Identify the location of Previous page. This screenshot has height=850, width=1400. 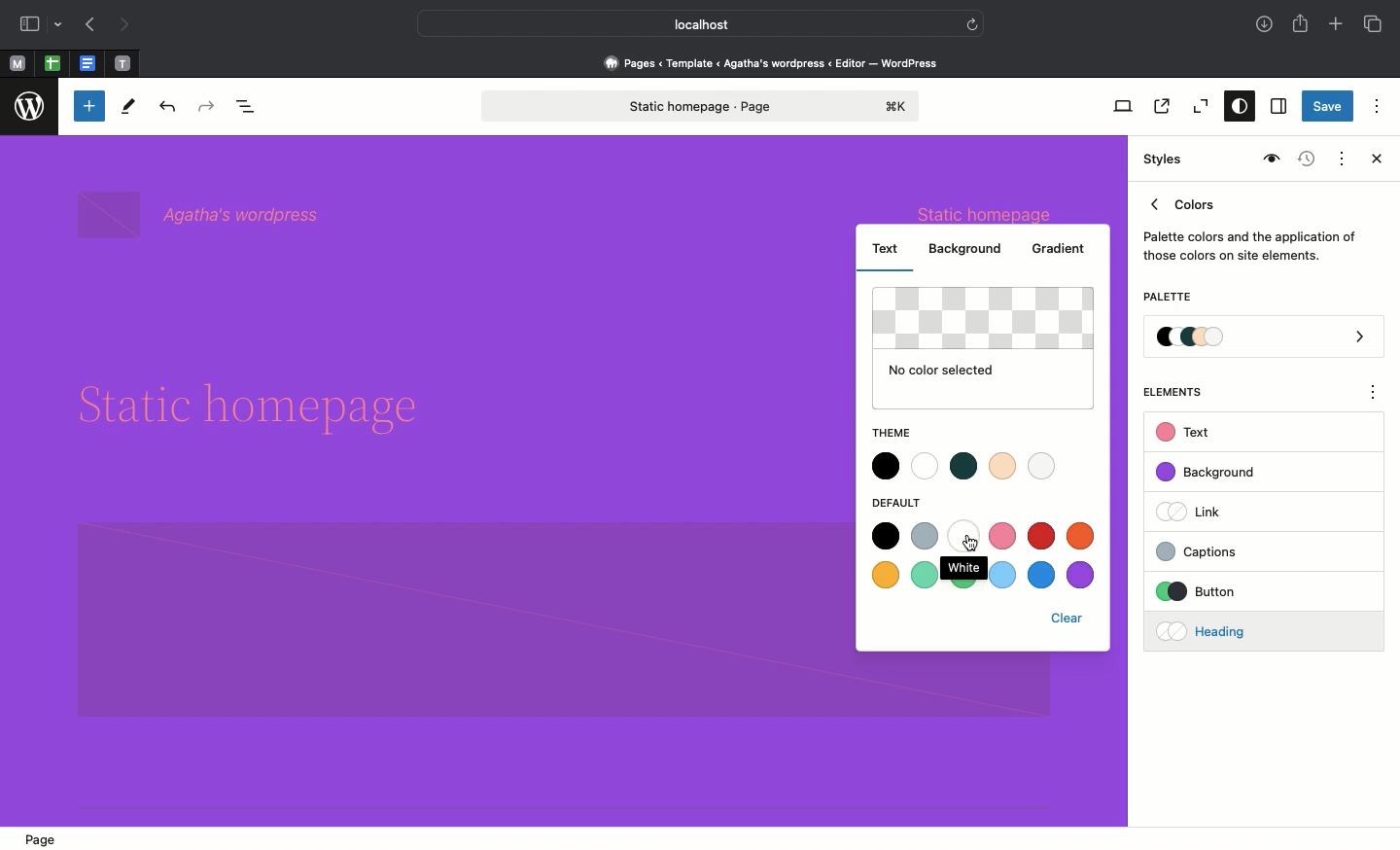
(88, 26).